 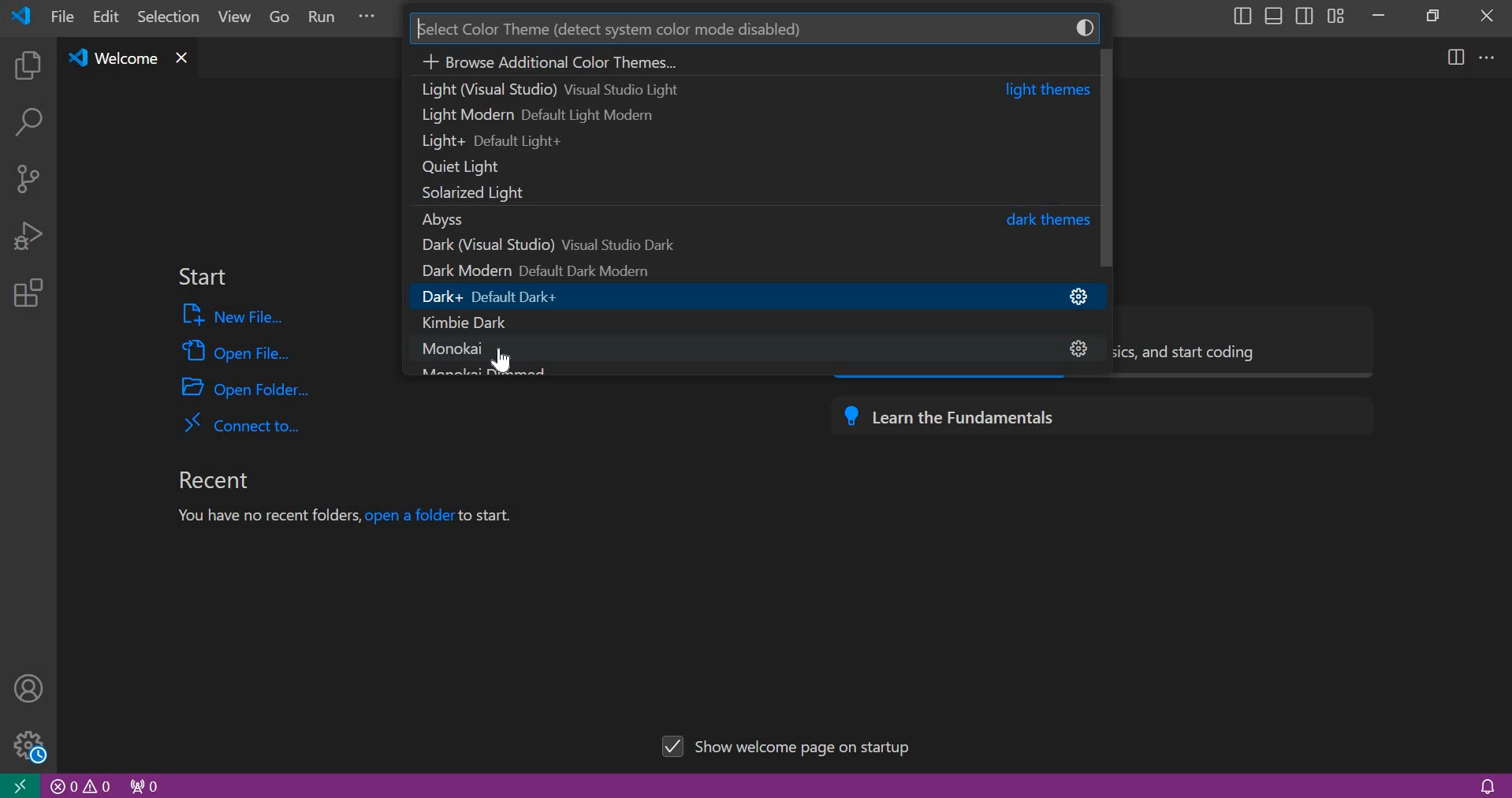 What do you see at coordinates (236, 349) in the screenshot?
I see `open file` at bounding box center [236, 349].